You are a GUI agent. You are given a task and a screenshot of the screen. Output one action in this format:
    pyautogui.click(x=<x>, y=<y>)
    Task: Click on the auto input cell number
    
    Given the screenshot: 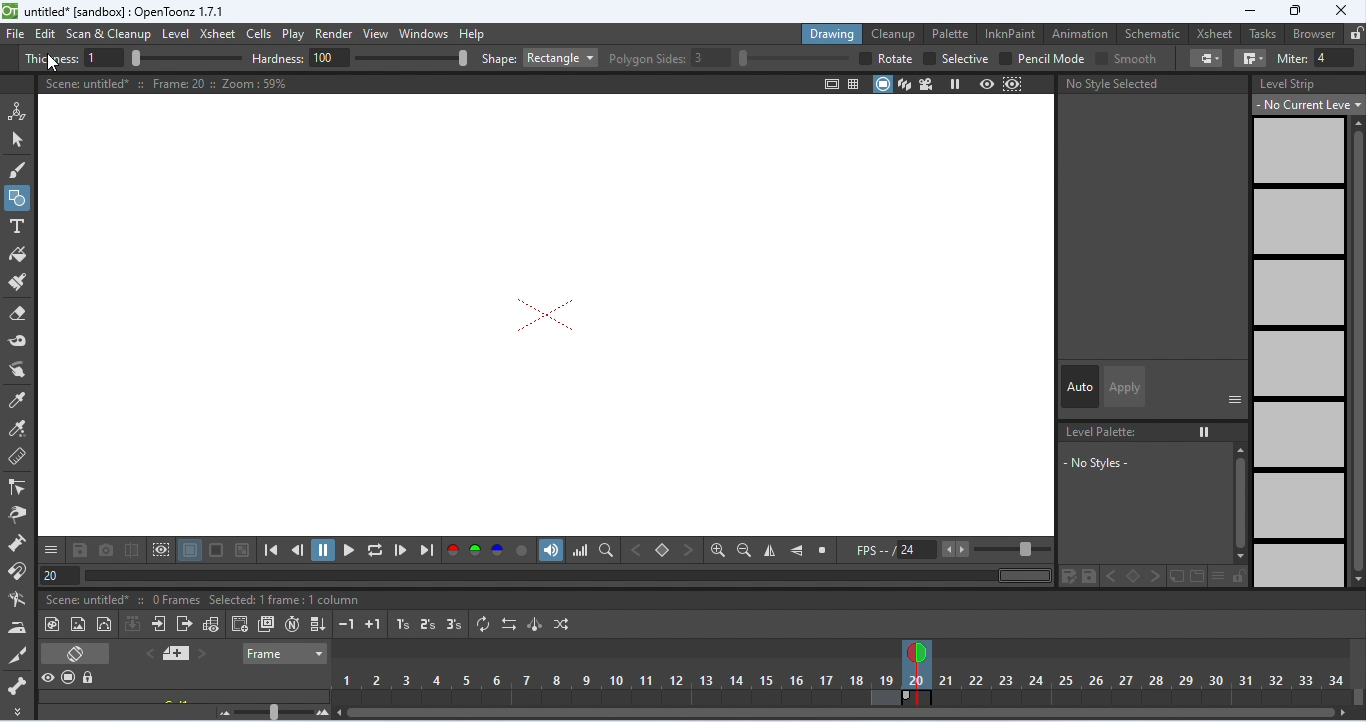 What is the action you would take?
    pyautogui.click(x=296, y=626)
    